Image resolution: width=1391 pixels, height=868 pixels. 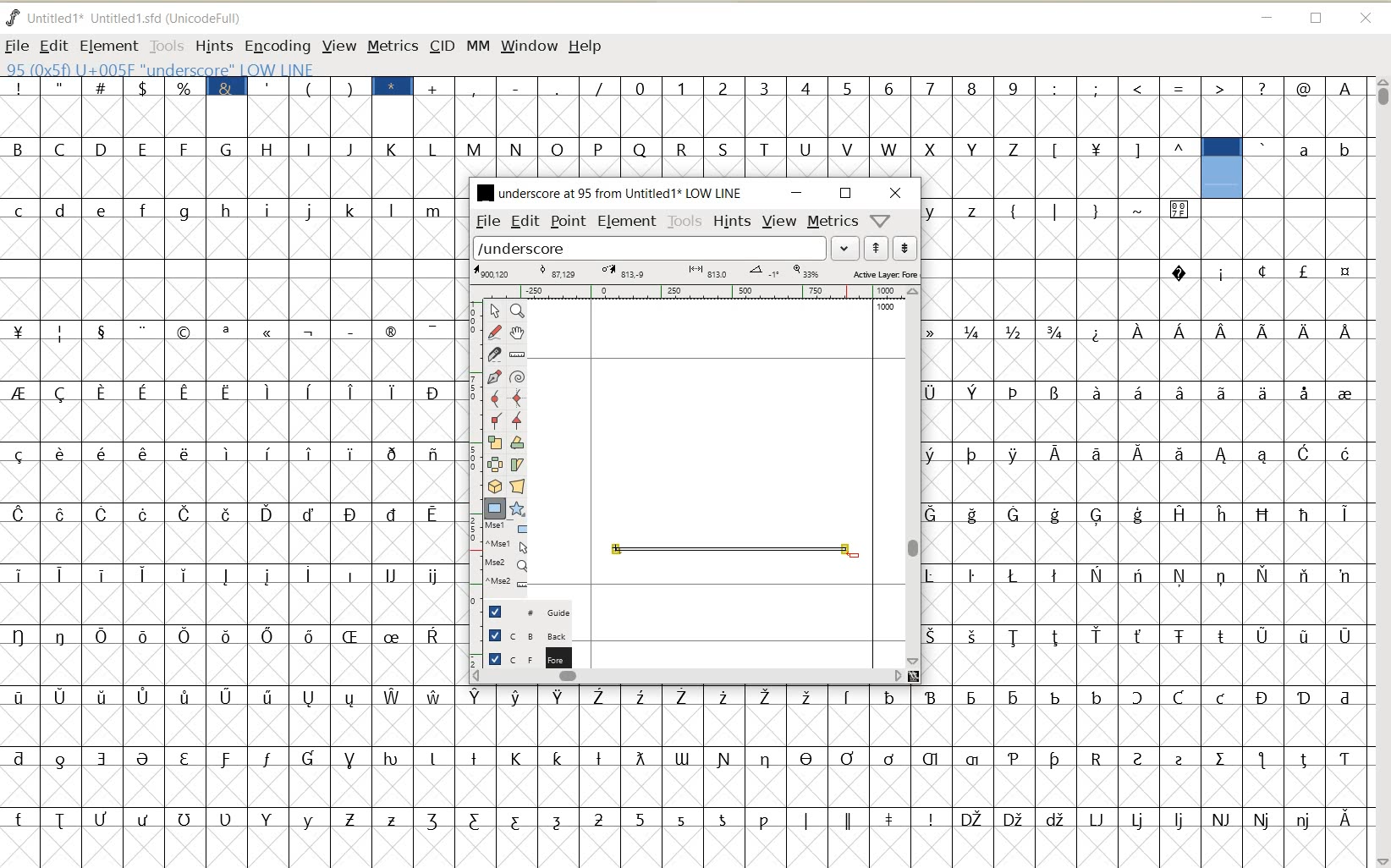 I want to click on HINTS, so click(x=213, y=46).